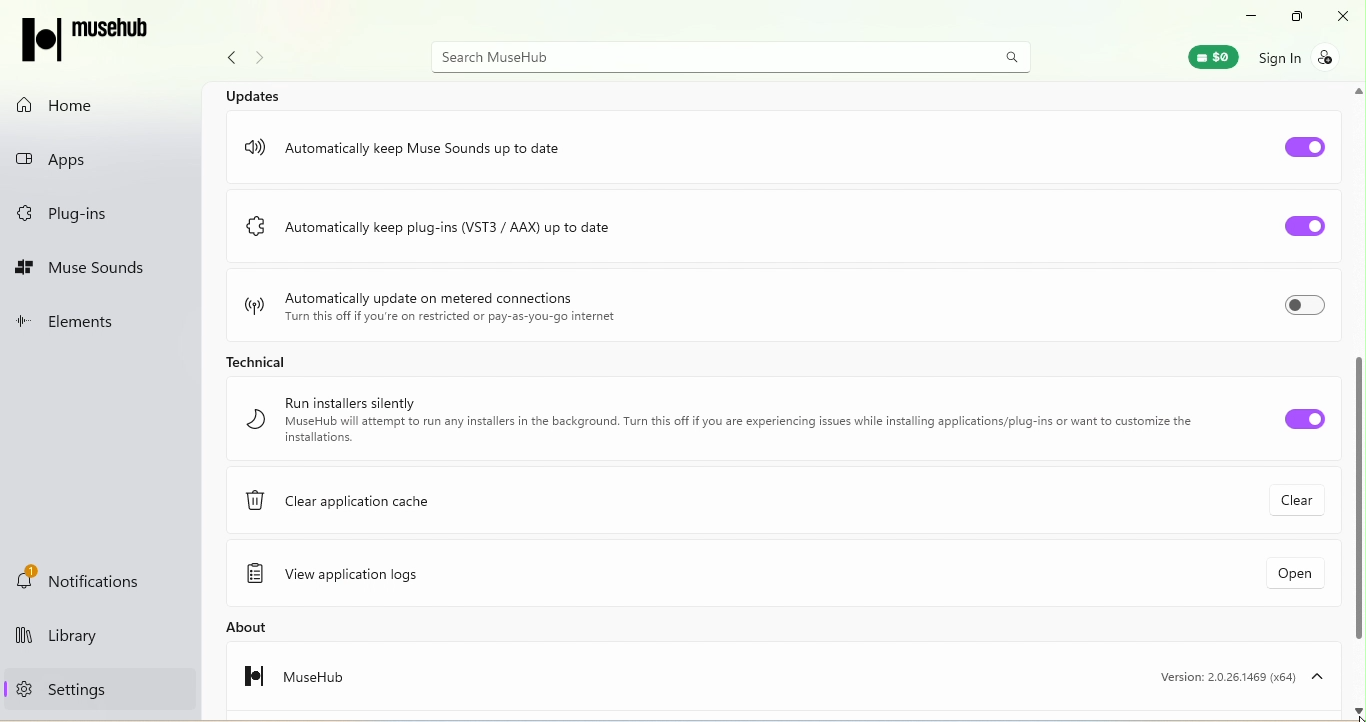 The height and width of the screenshot is (722, 1366). I want to click on Apps, so click(79, 155).